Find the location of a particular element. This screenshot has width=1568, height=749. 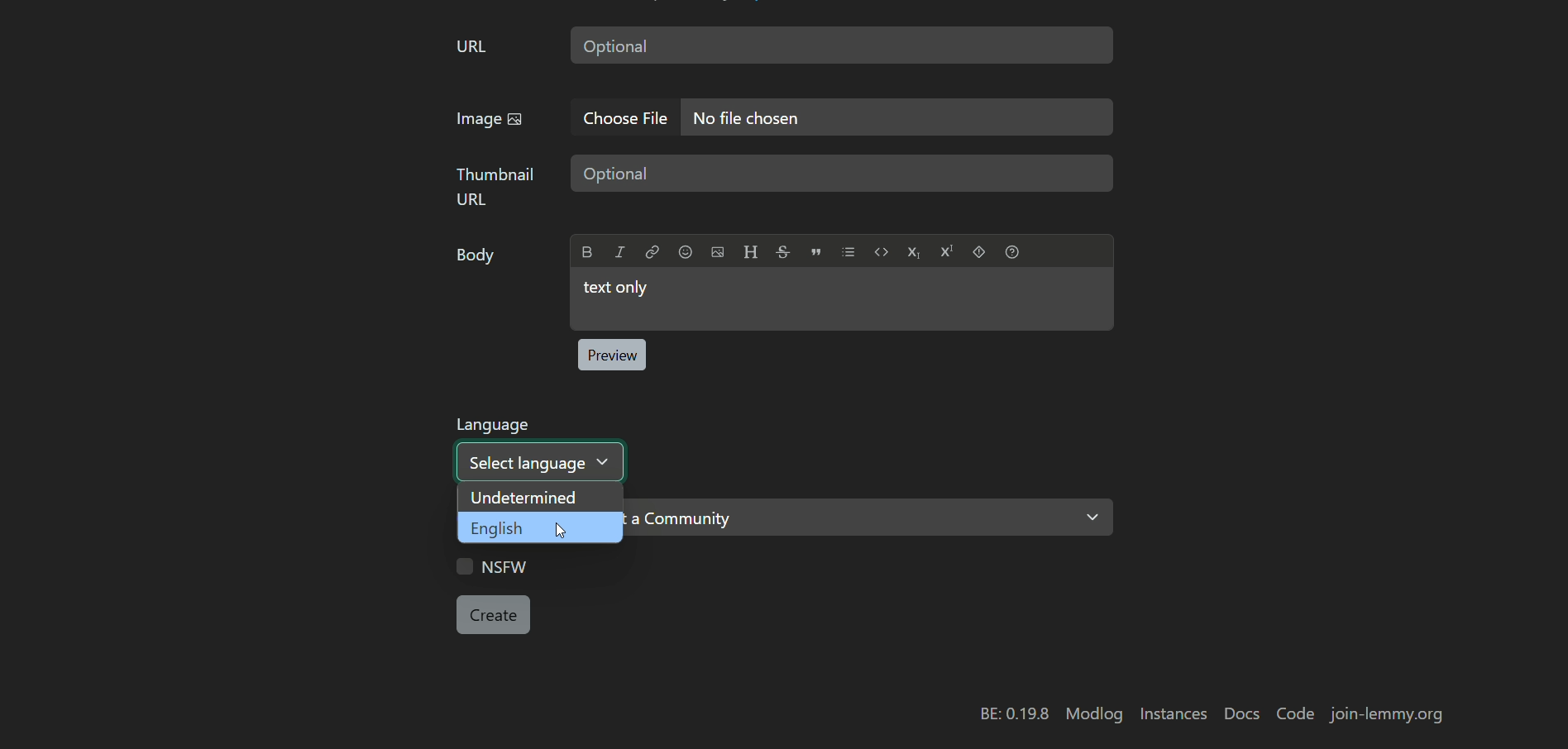

Superscript is located at coordinates (947, 251).